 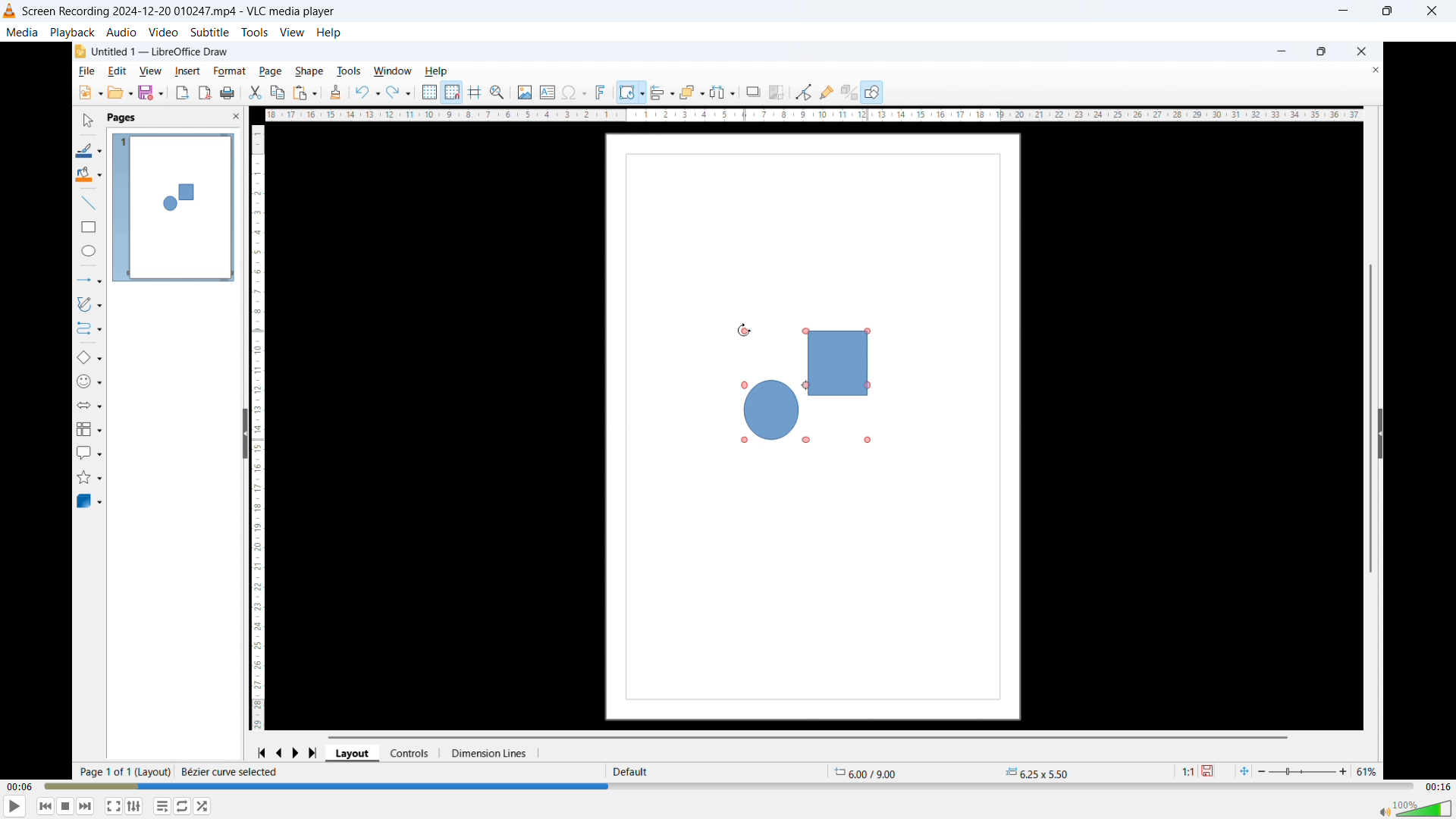 What do you see at coordinates (114, 806) in the screenshot?
I see `Full screen ` at bounding box center [114, 806].